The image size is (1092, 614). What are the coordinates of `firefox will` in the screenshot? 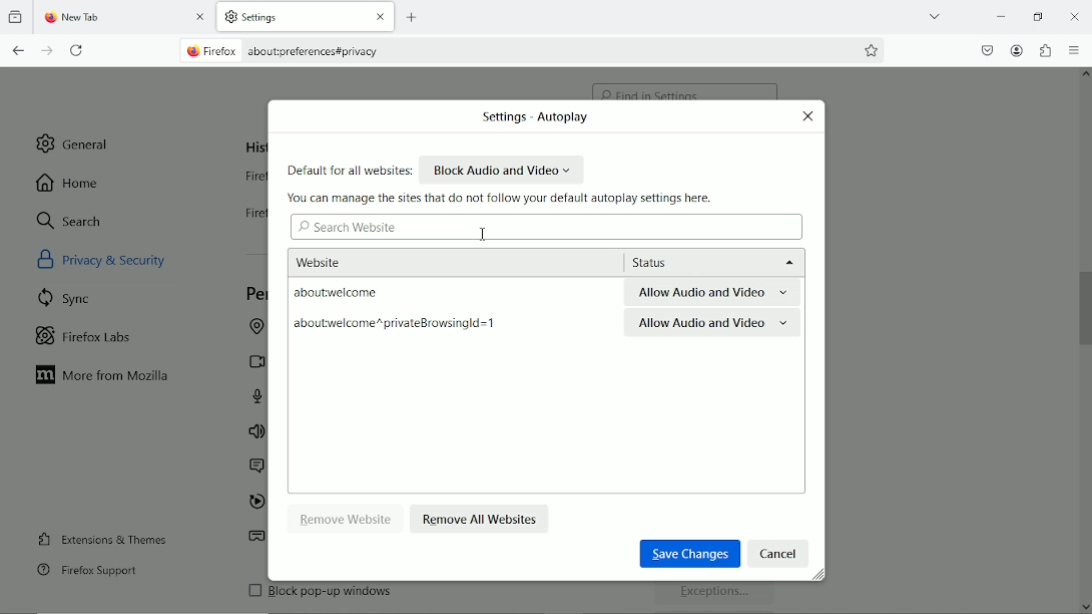 It's located at (251, 179).